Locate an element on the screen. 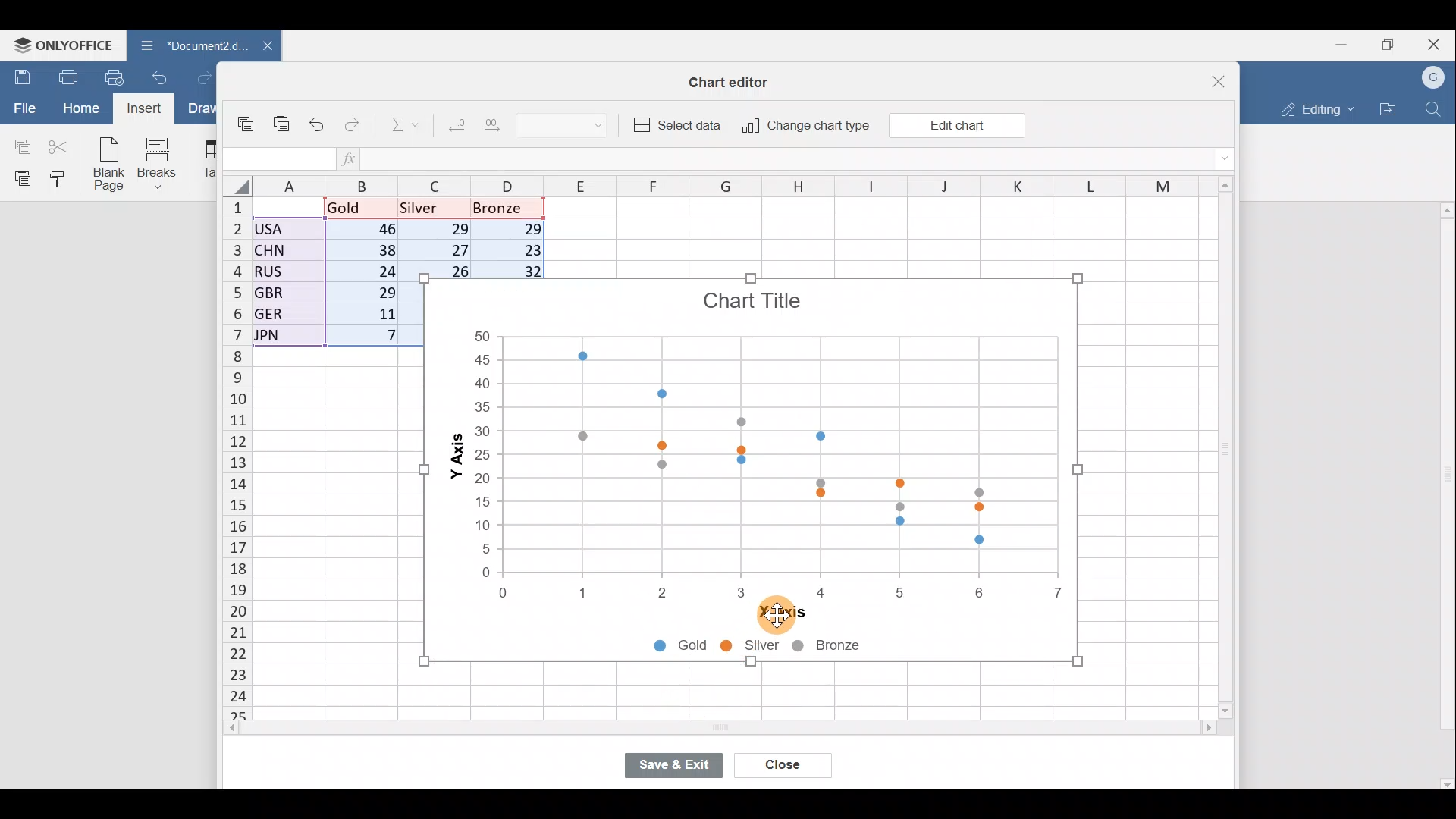 Image resolution: width=1456 pixels, height=819 pixels. Print file is located at coordinates (64, 78).